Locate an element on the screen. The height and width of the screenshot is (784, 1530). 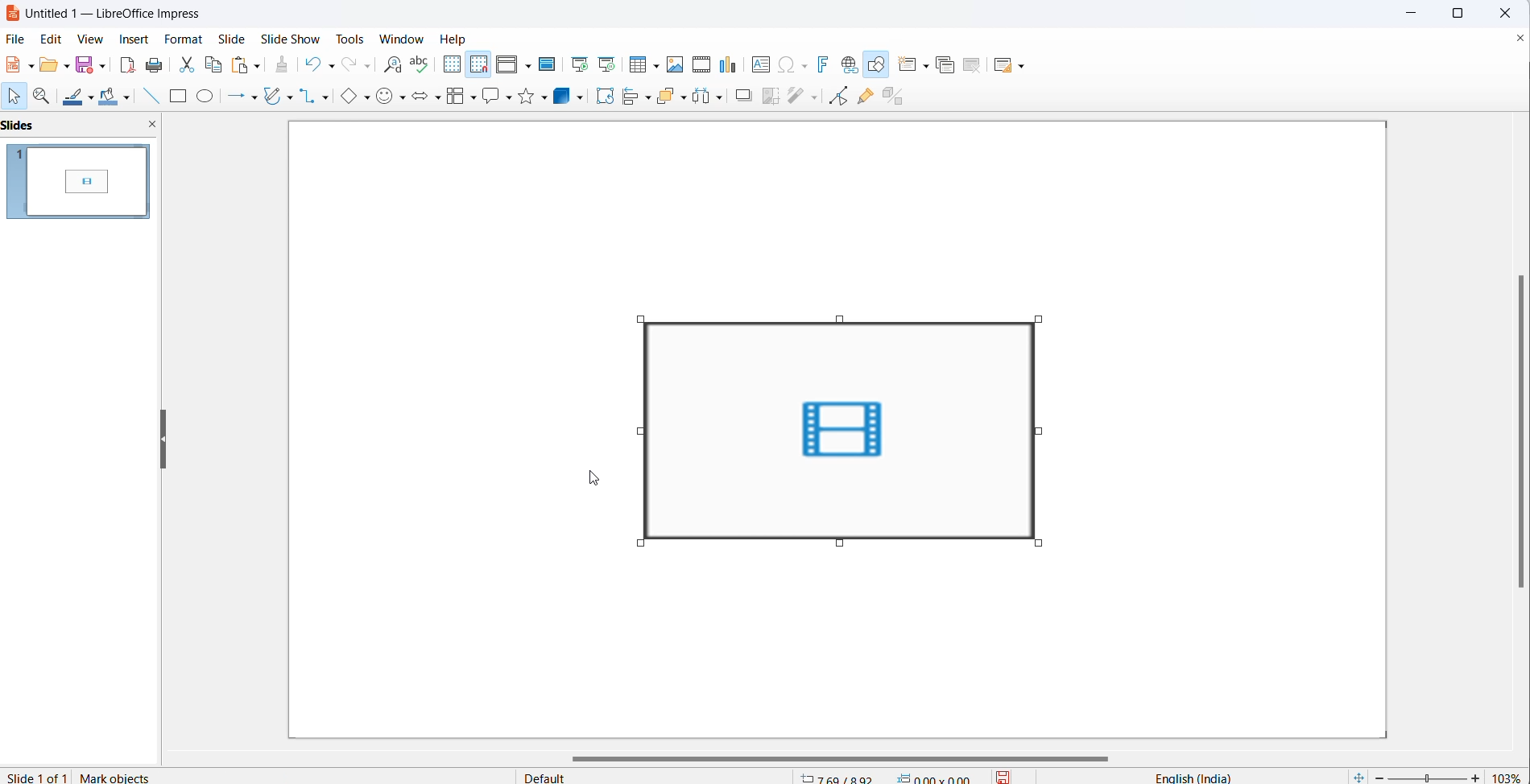
edit is located at coordinates (52, 39).